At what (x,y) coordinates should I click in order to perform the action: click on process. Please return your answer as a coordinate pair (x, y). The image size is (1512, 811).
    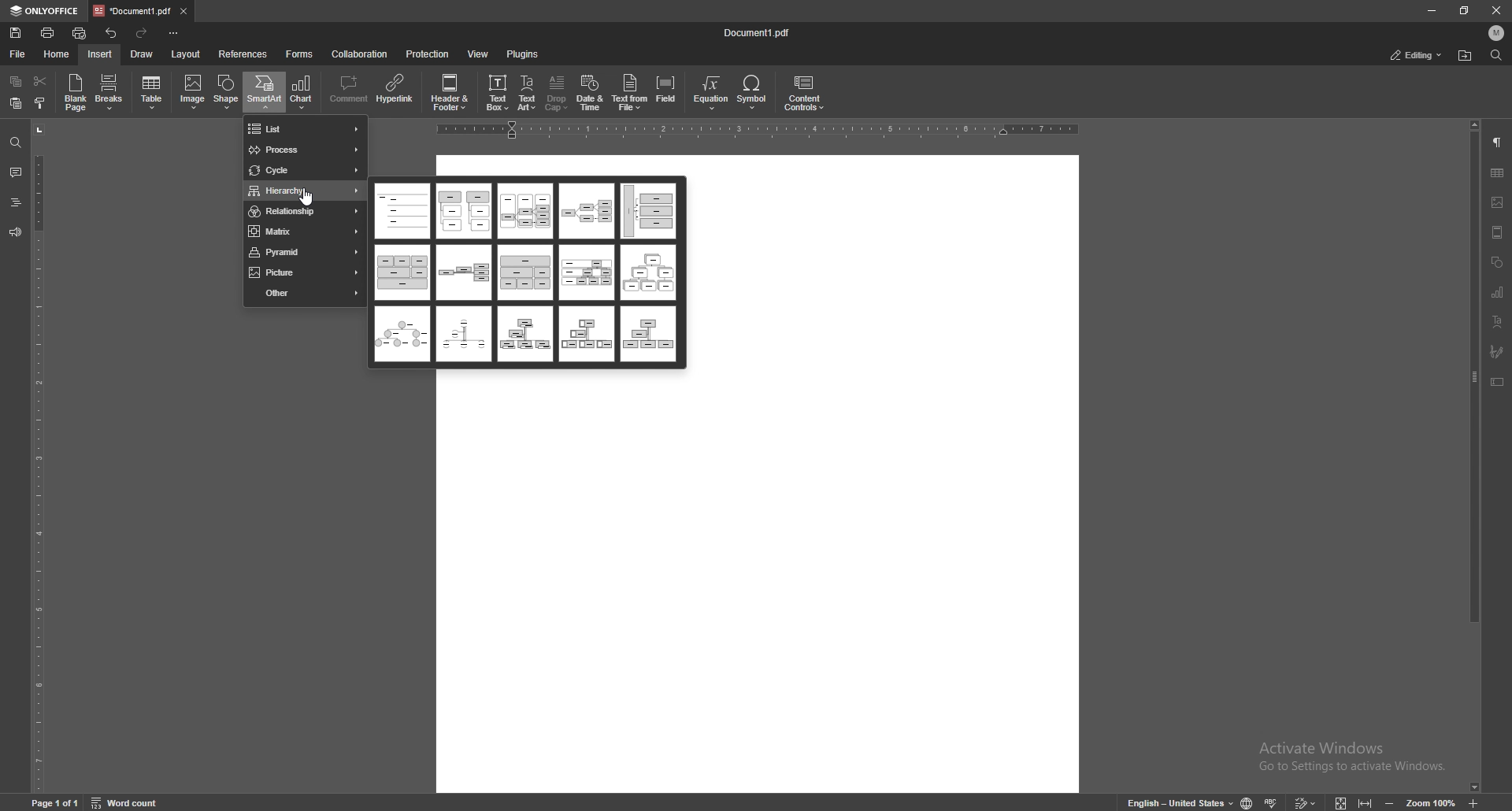
    Looking at the image, I should click on (305, 150).